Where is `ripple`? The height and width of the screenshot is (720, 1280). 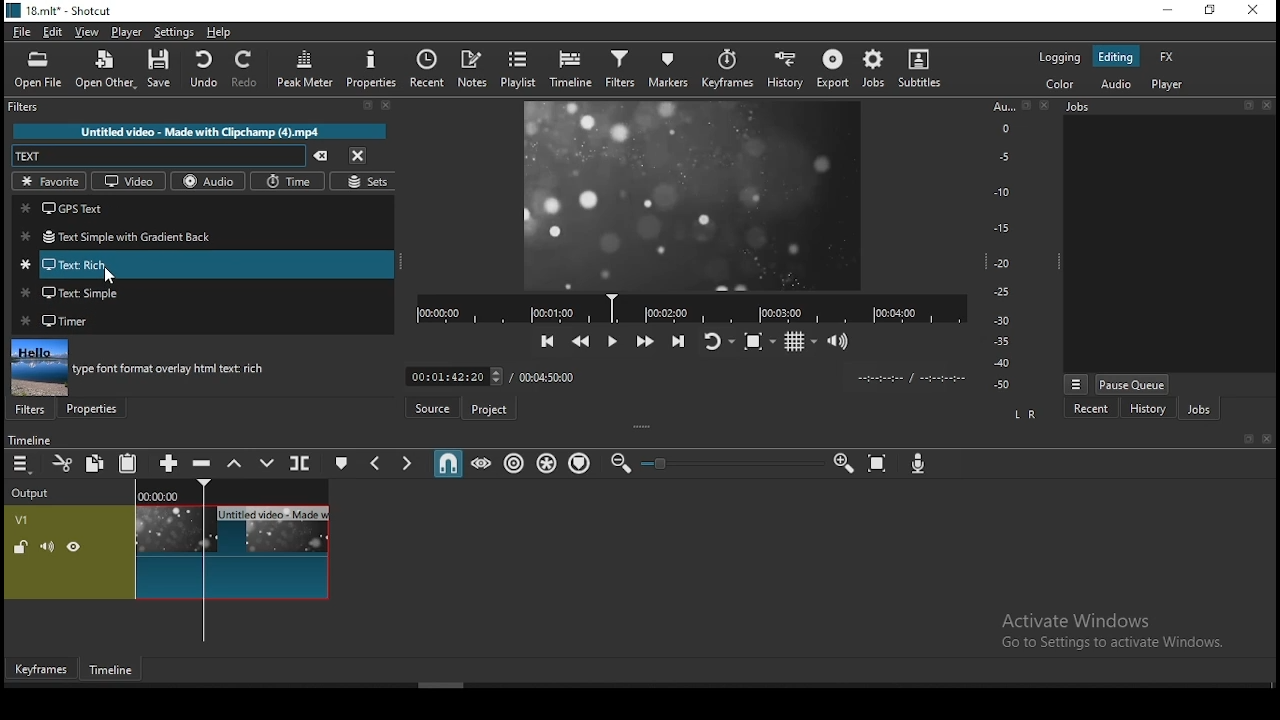 ripple is located at coordinates (513, 463).